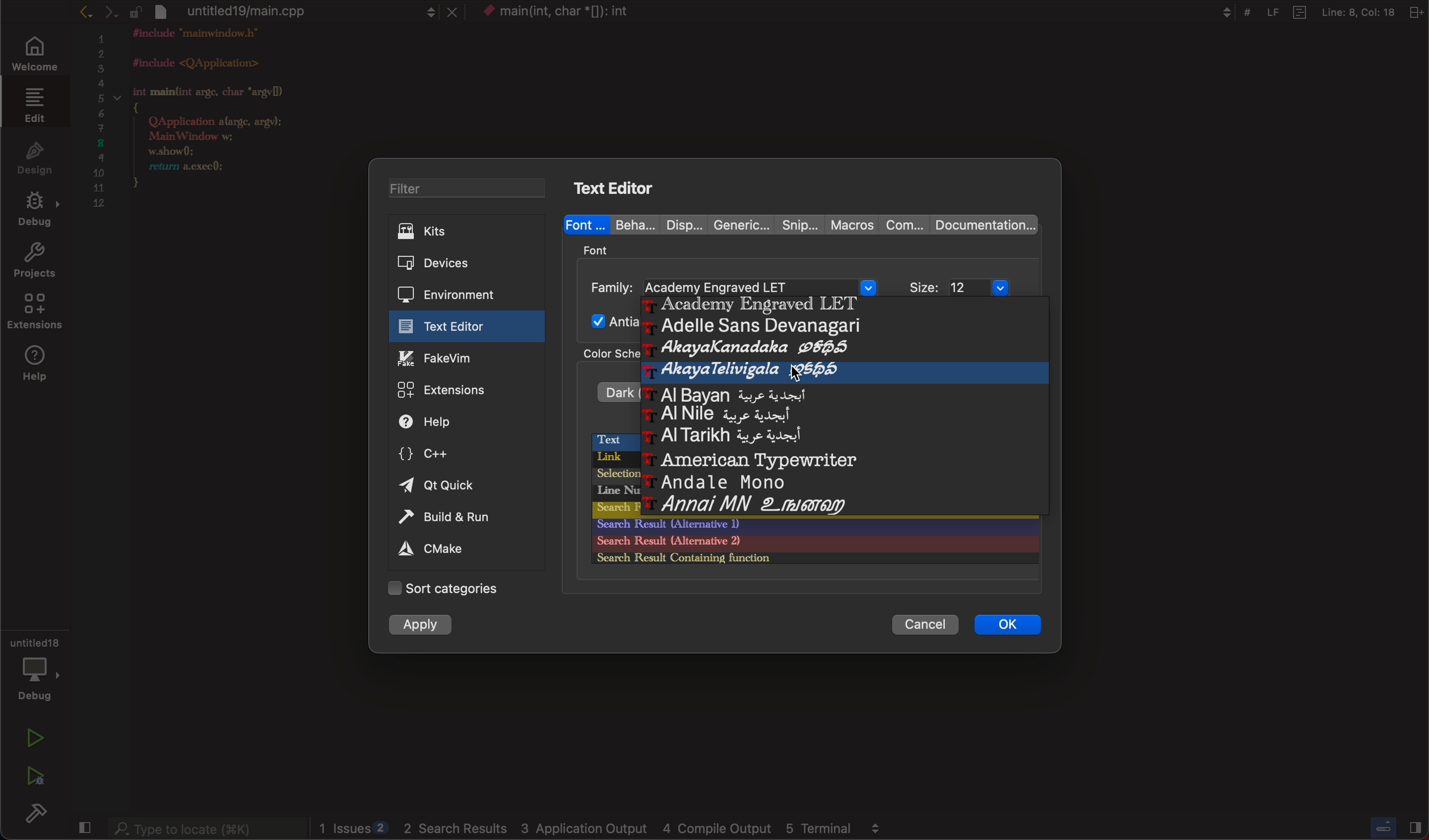 The image size is (1429, 840). What do you see at coordinates (37, 56) in the screenshot?
I see `welcome` at bounding box center [37, 56].